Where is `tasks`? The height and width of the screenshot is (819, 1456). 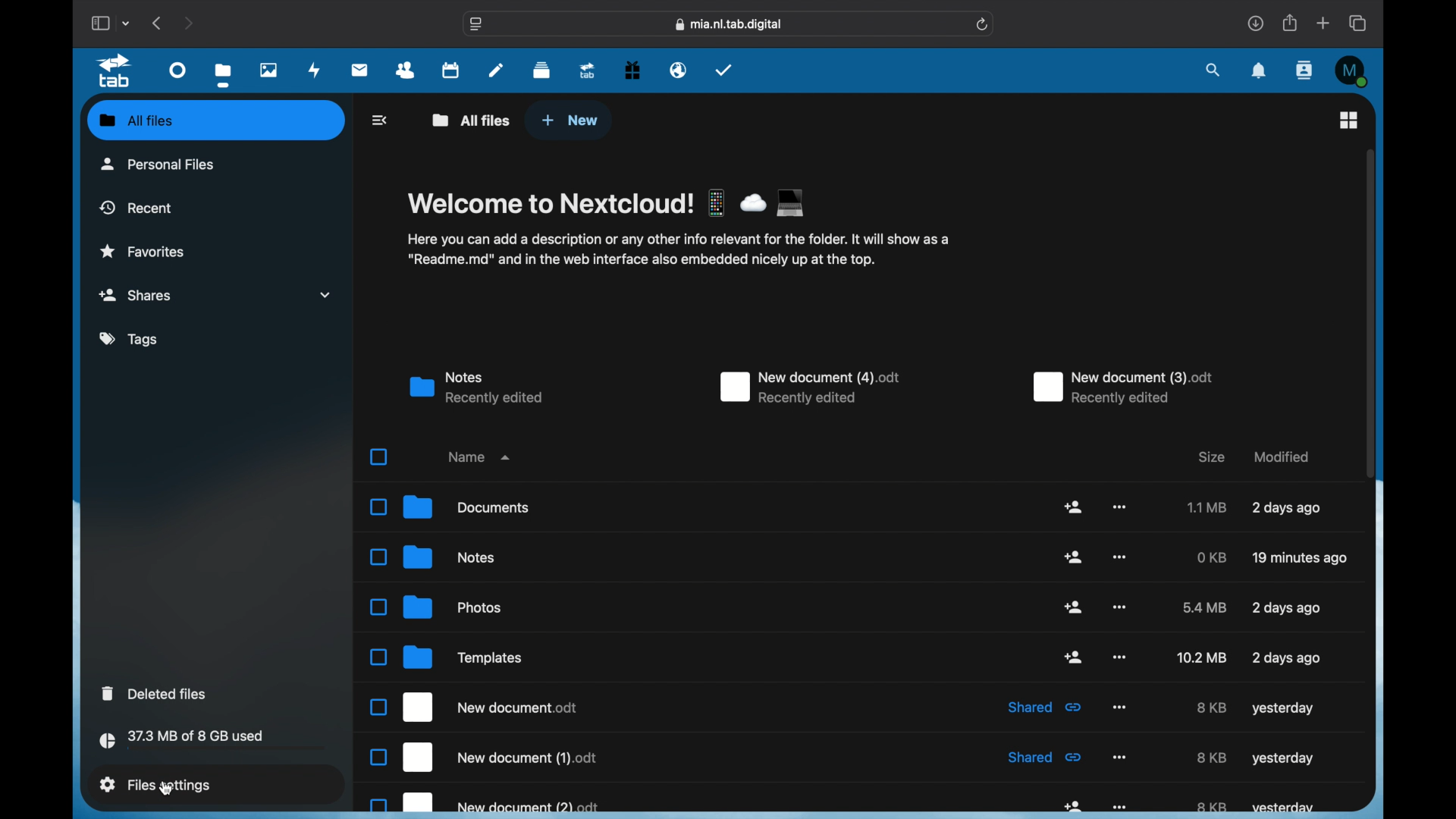
tasks is located at coordinates (724, 69).